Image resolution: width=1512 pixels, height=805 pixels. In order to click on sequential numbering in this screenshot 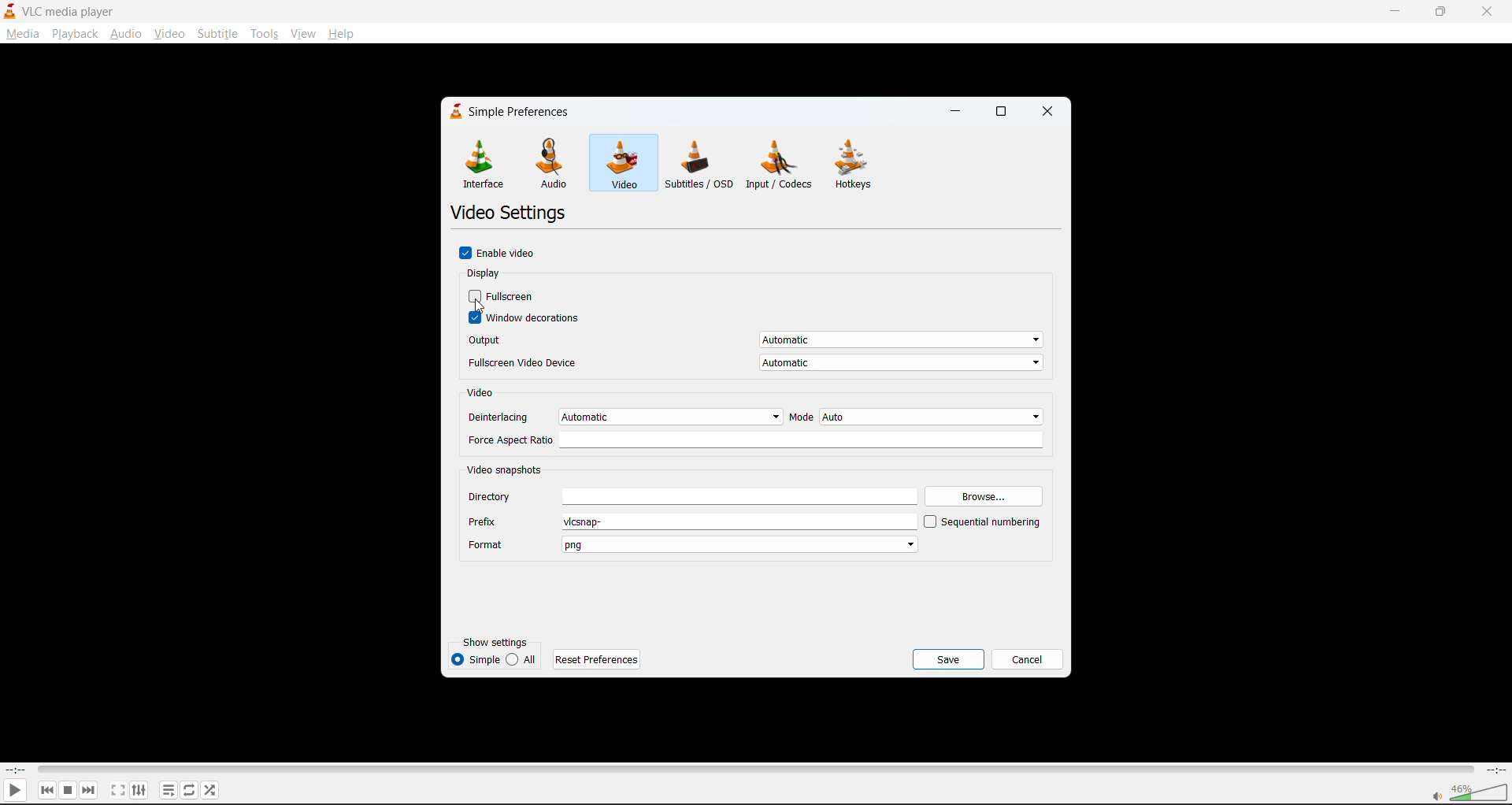, I will do `click(984, 521)`.